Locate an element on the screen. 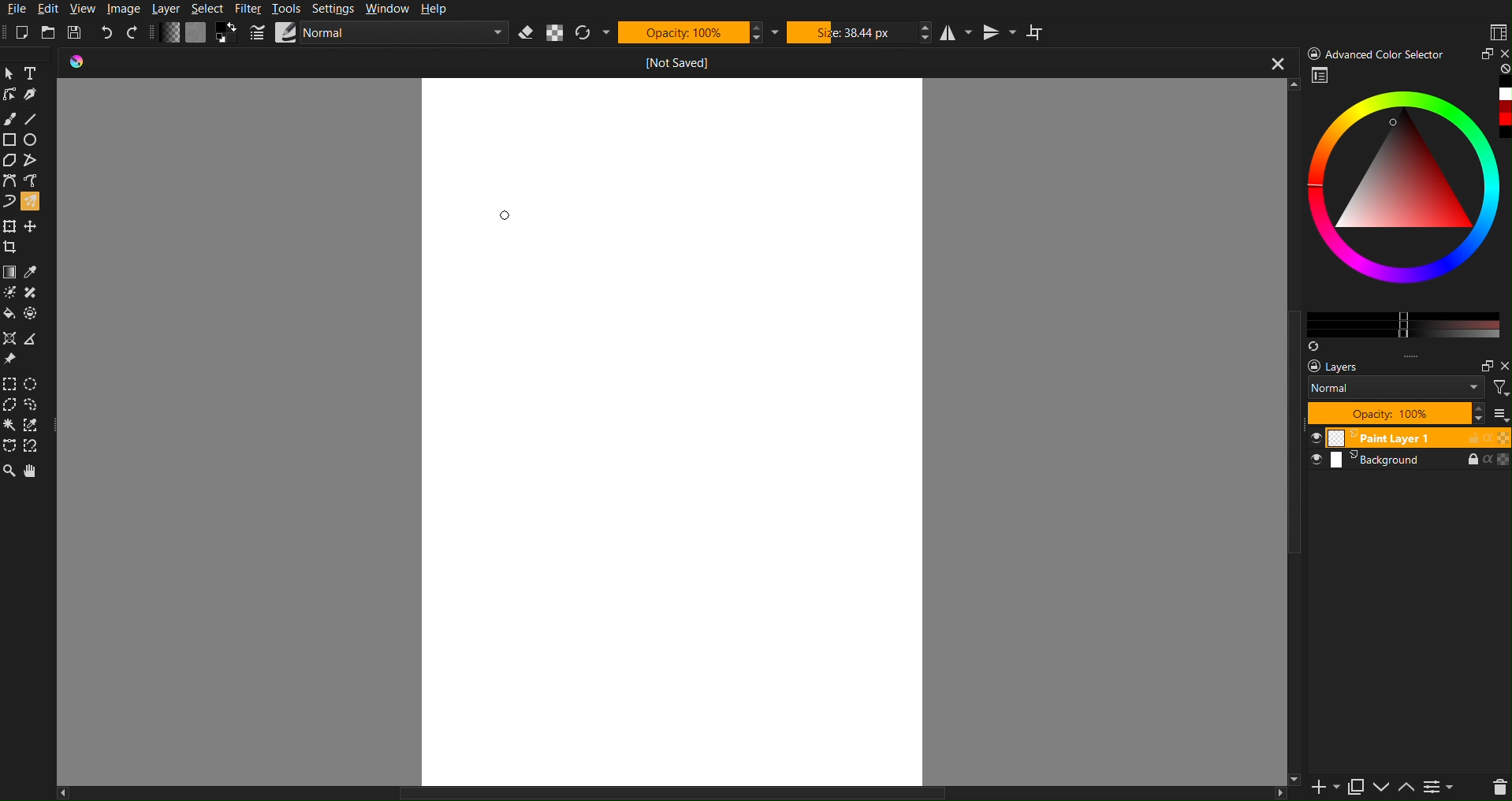  close is located at coordinates (1503, 367).